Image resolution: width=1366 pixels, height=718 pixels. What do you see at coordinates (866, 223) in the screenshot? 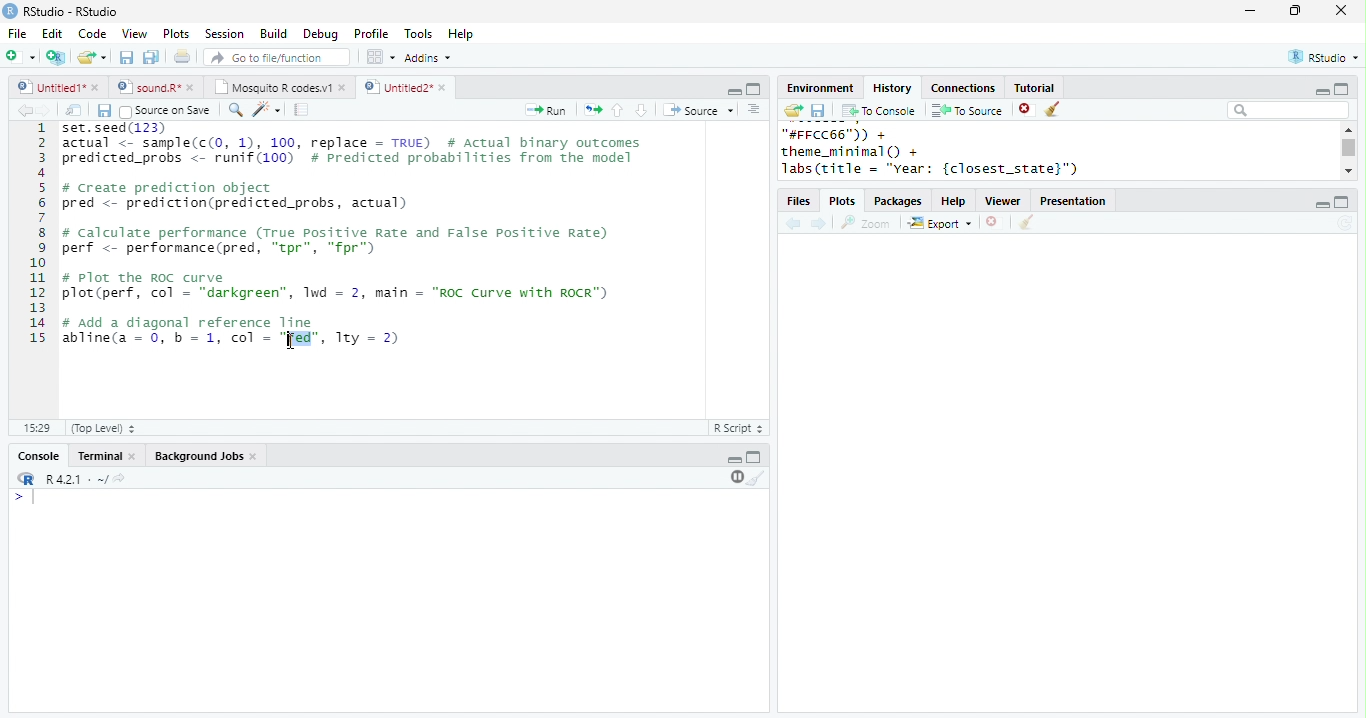
I see `Zoom` at bounding box center [866, 223].